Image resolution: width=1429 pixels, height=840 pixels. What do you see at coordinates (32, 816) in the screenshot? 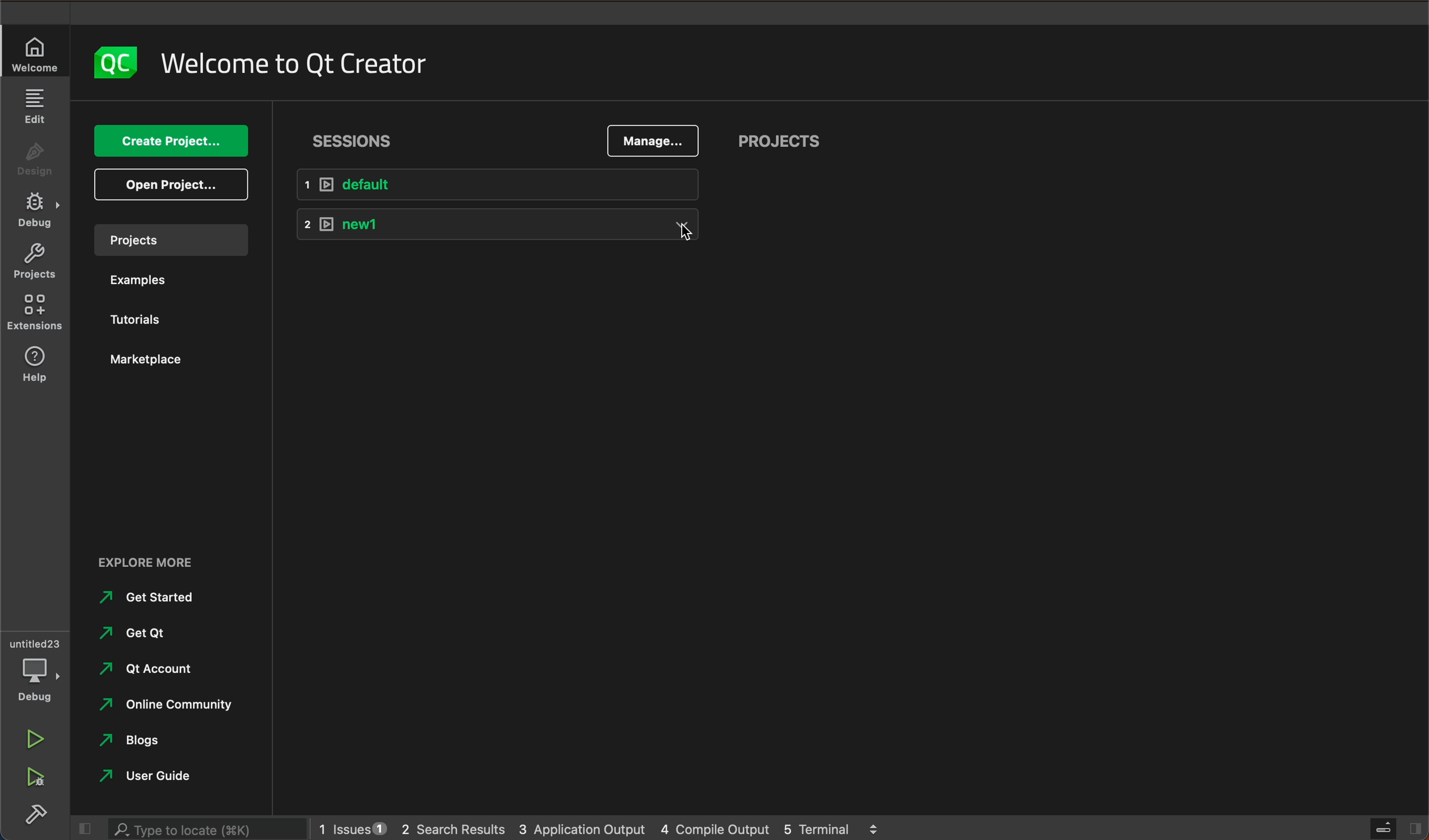
I see `build` at bounding box center [32, 816].